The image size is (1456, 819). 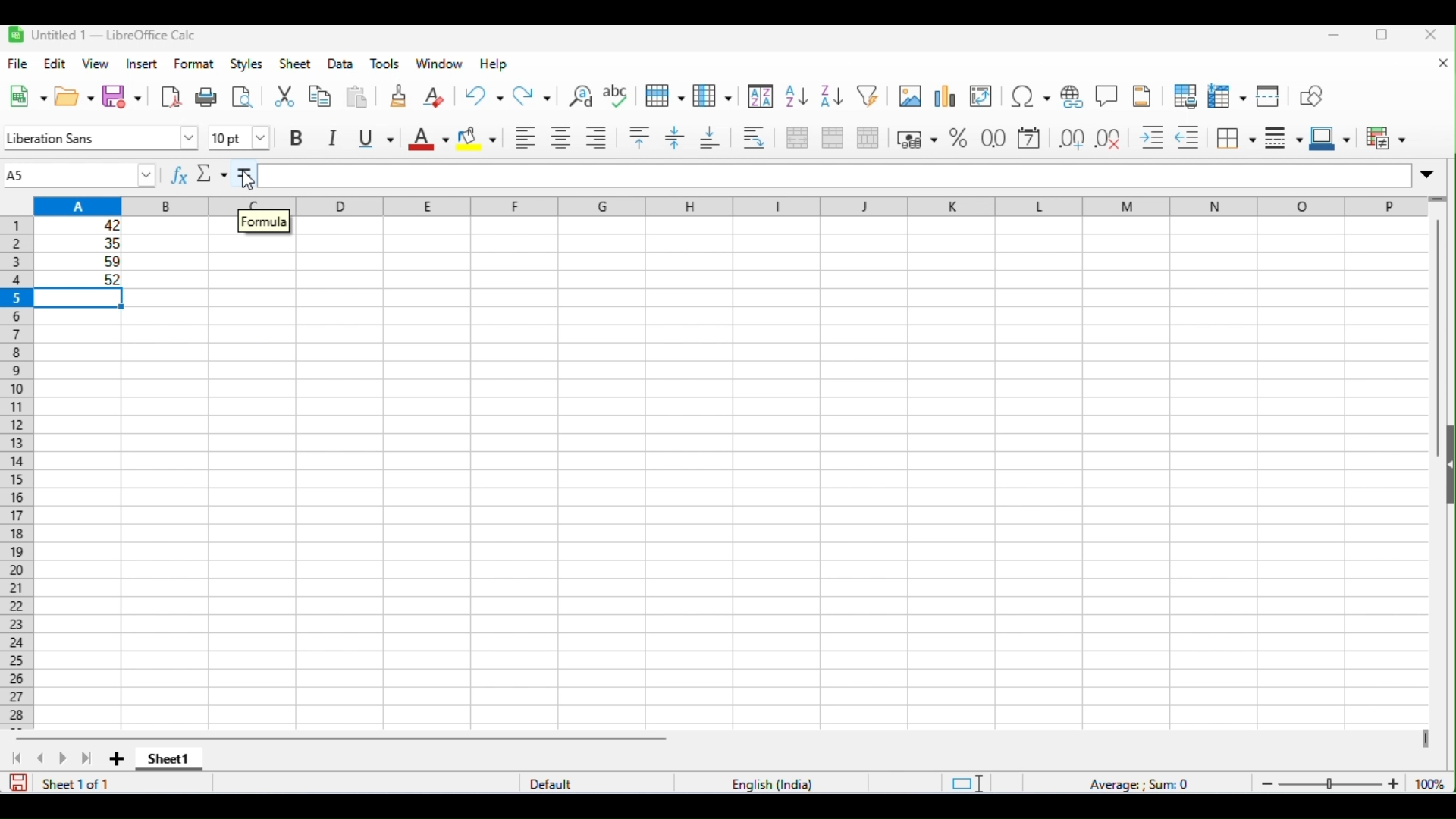 What do you see at coordinates (240, 137) in the screenshot?
I see `font size` at bounding box center [240, 137].